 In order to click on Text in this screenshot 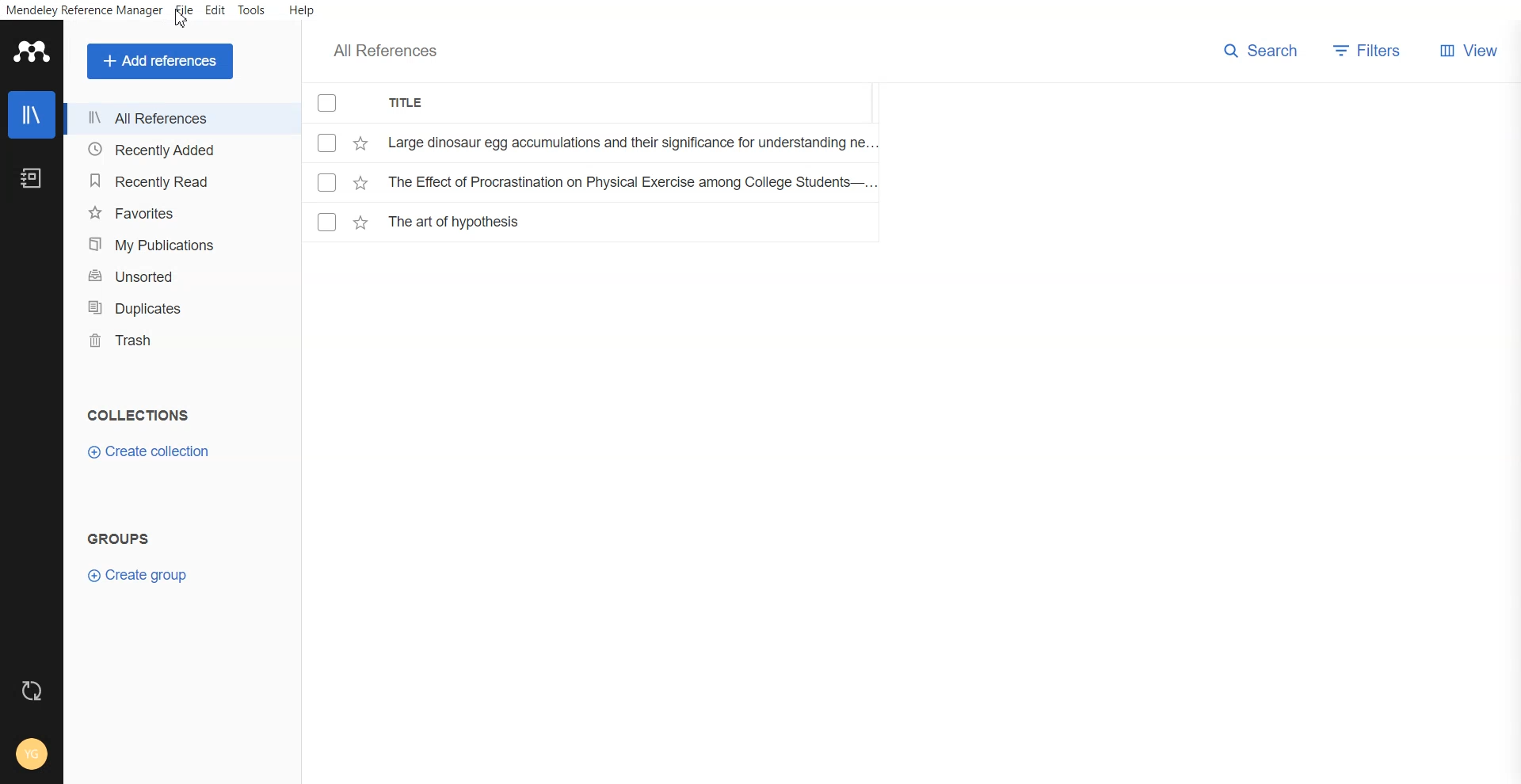, I will do `click(137, 416)`.